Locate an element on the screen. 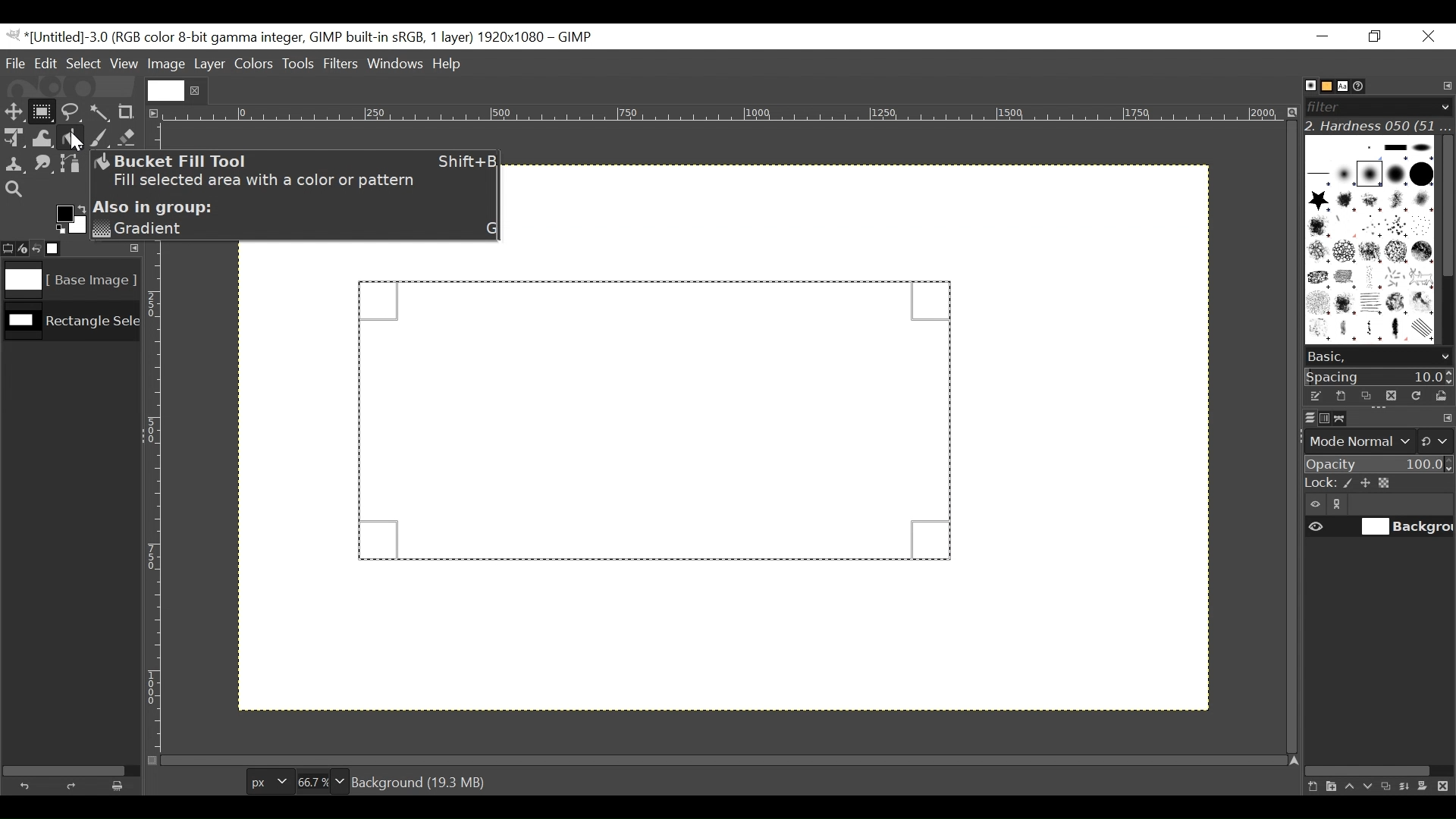 The width and height of the screenshot is (1456, 819). Image is located at coordinates (68, 280).